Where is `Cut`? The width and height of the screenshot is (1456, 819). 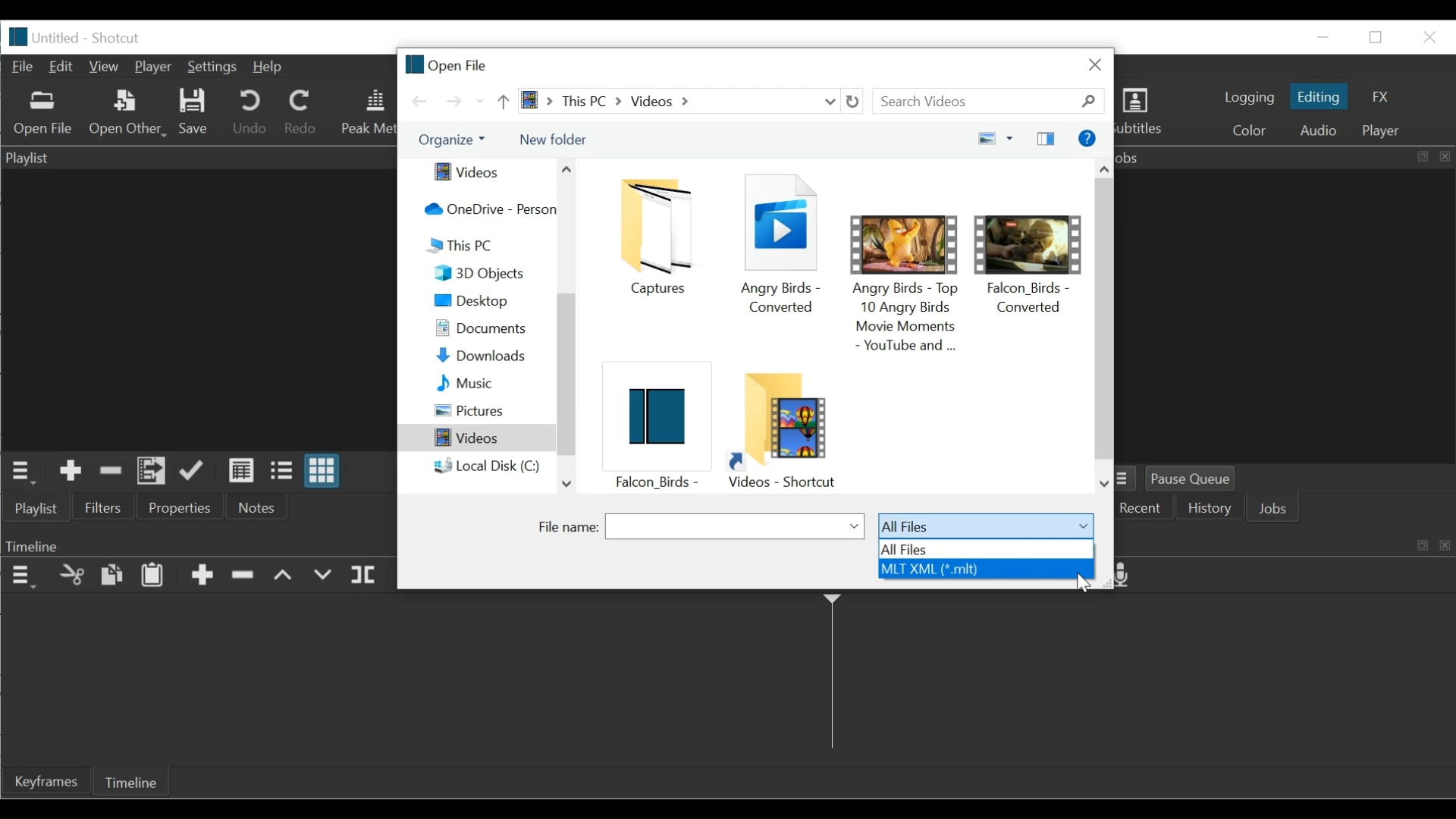 Cut is located at coordinates (71, 576).